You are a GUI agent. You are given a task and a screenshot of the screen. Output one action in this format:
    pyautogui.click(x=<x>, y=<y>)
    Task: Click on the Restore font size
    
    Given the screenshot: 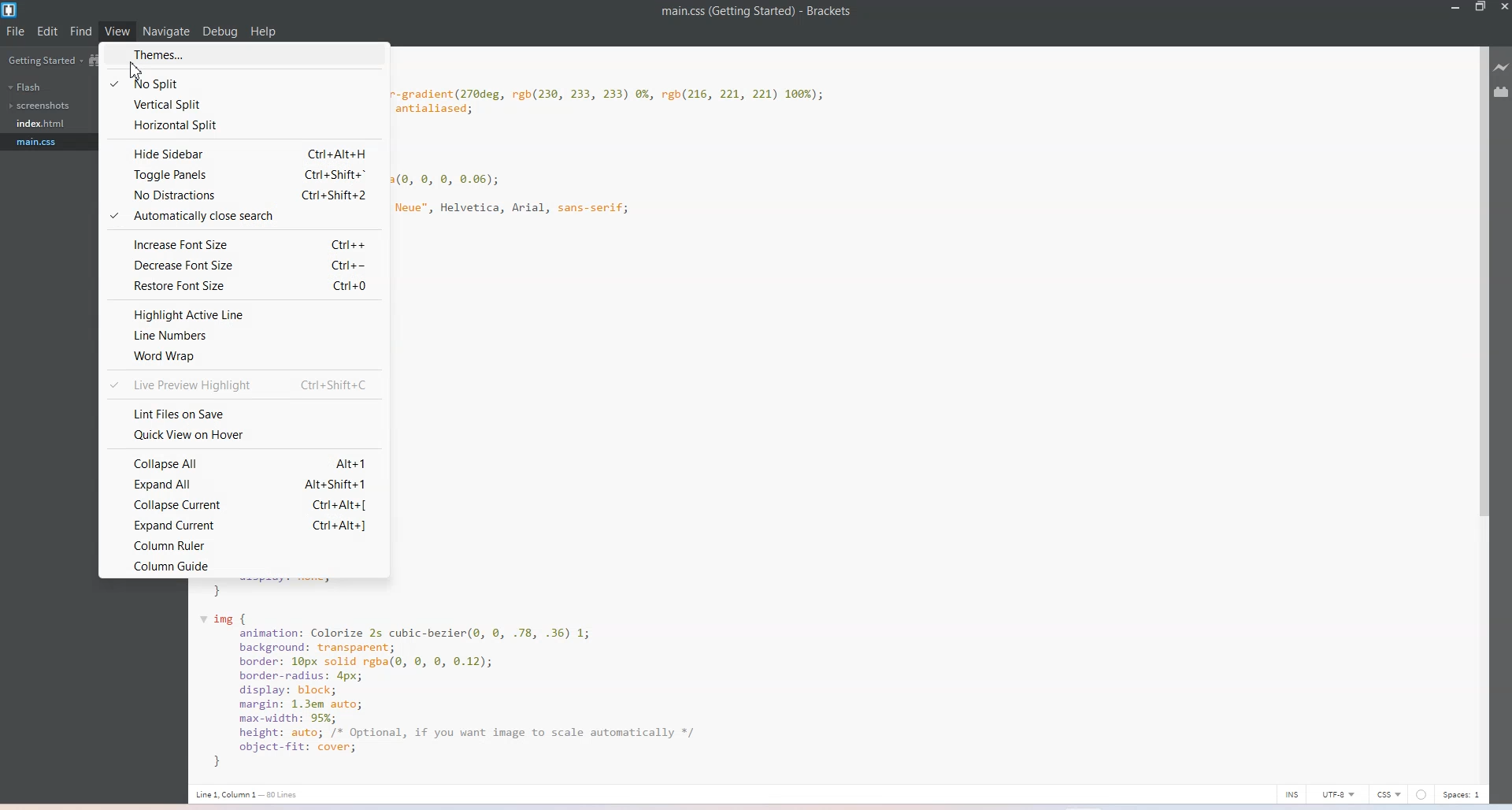 What is the action you would take?
    pyautogui.click(x=243, y=287)
    